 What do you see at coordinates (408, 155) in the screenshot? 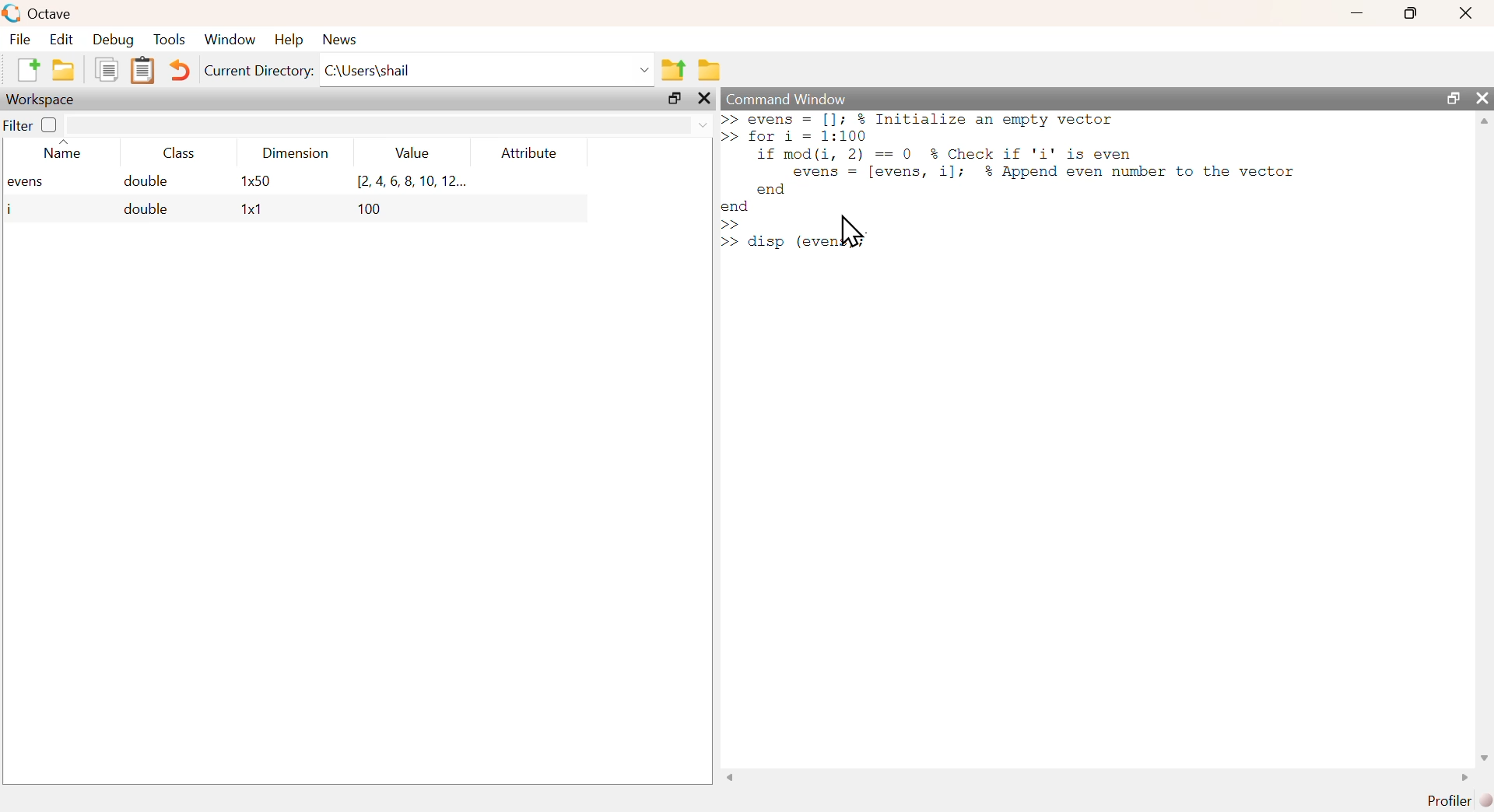
I see `value` at bounding box center [408, 155].